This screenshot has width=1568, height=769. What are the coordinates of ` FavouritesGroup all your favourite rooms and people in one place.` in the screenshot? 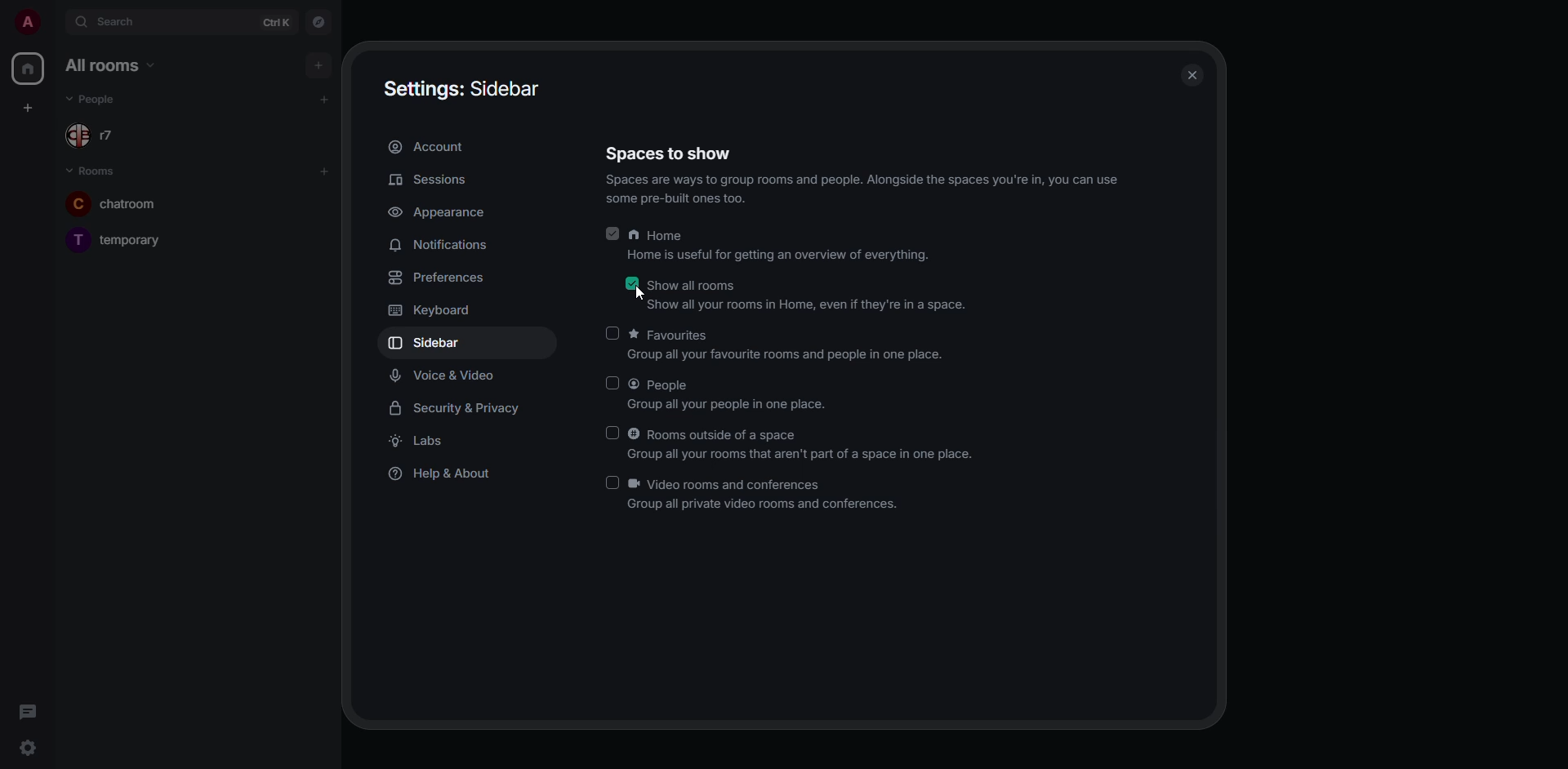 It's located at (795, 344).